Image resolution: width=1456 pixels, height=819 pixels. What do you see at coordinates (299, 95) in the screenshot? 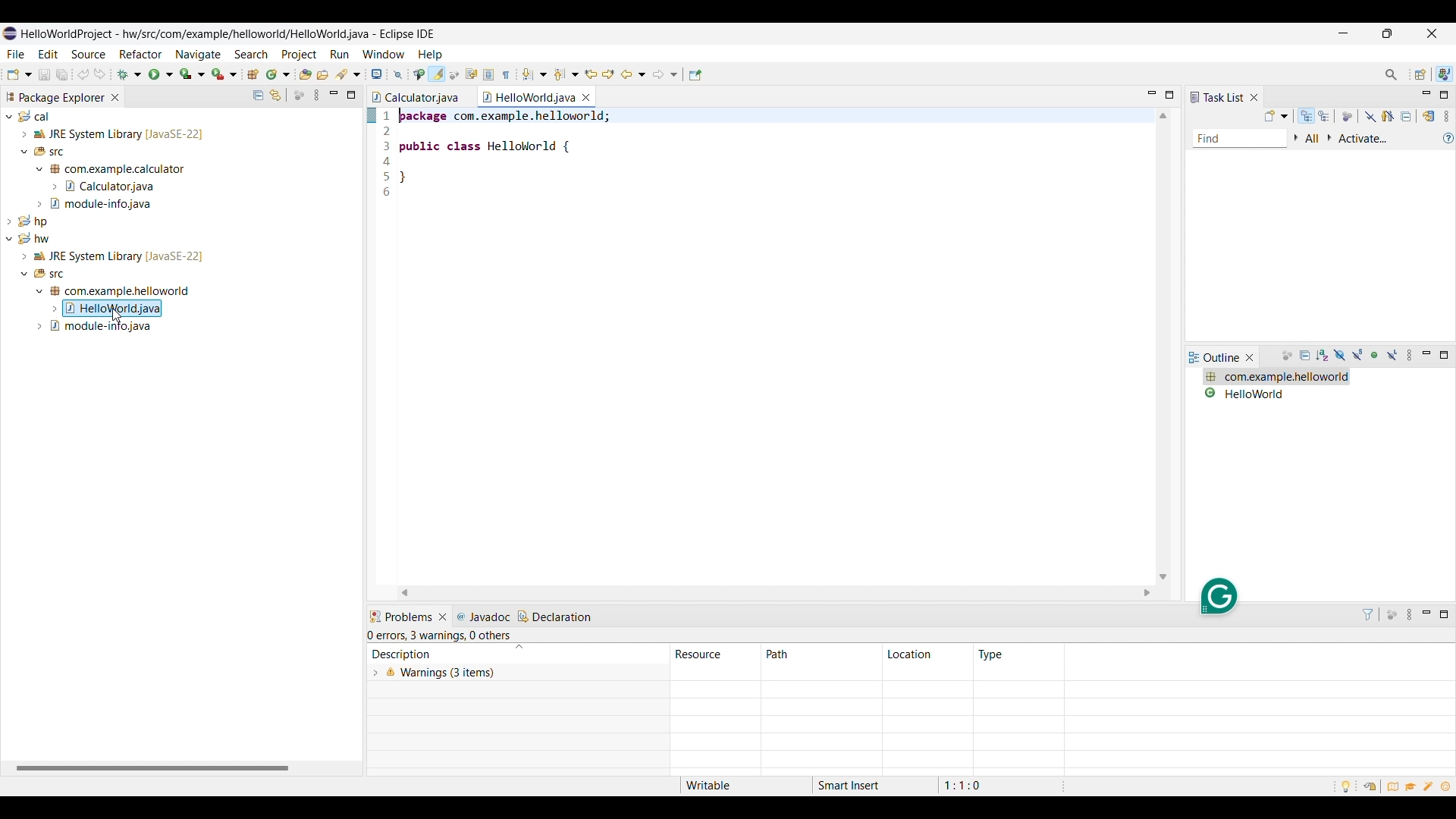
I see `Focus on active task` at bounding box center [299, 95].